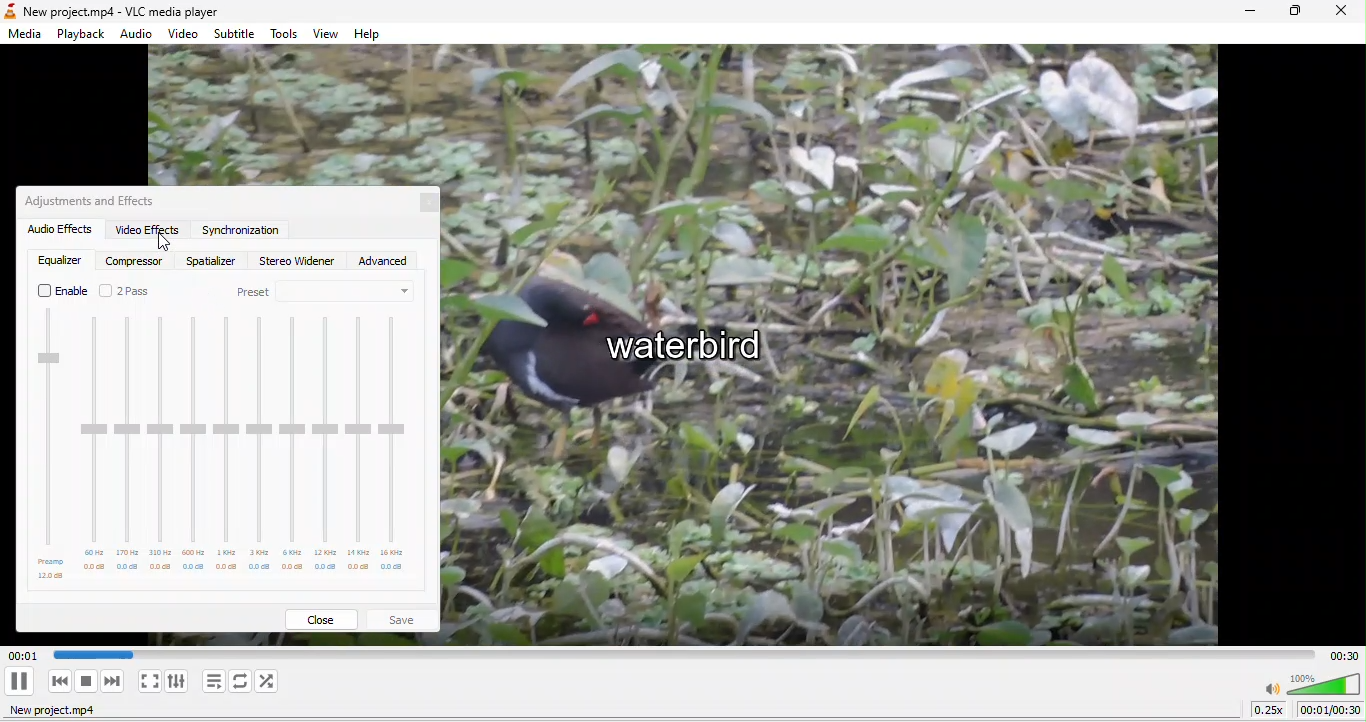  What do you see at coordinates (82, 32) in the screenshot?
I see `playback` at bounding box center [82, 32].